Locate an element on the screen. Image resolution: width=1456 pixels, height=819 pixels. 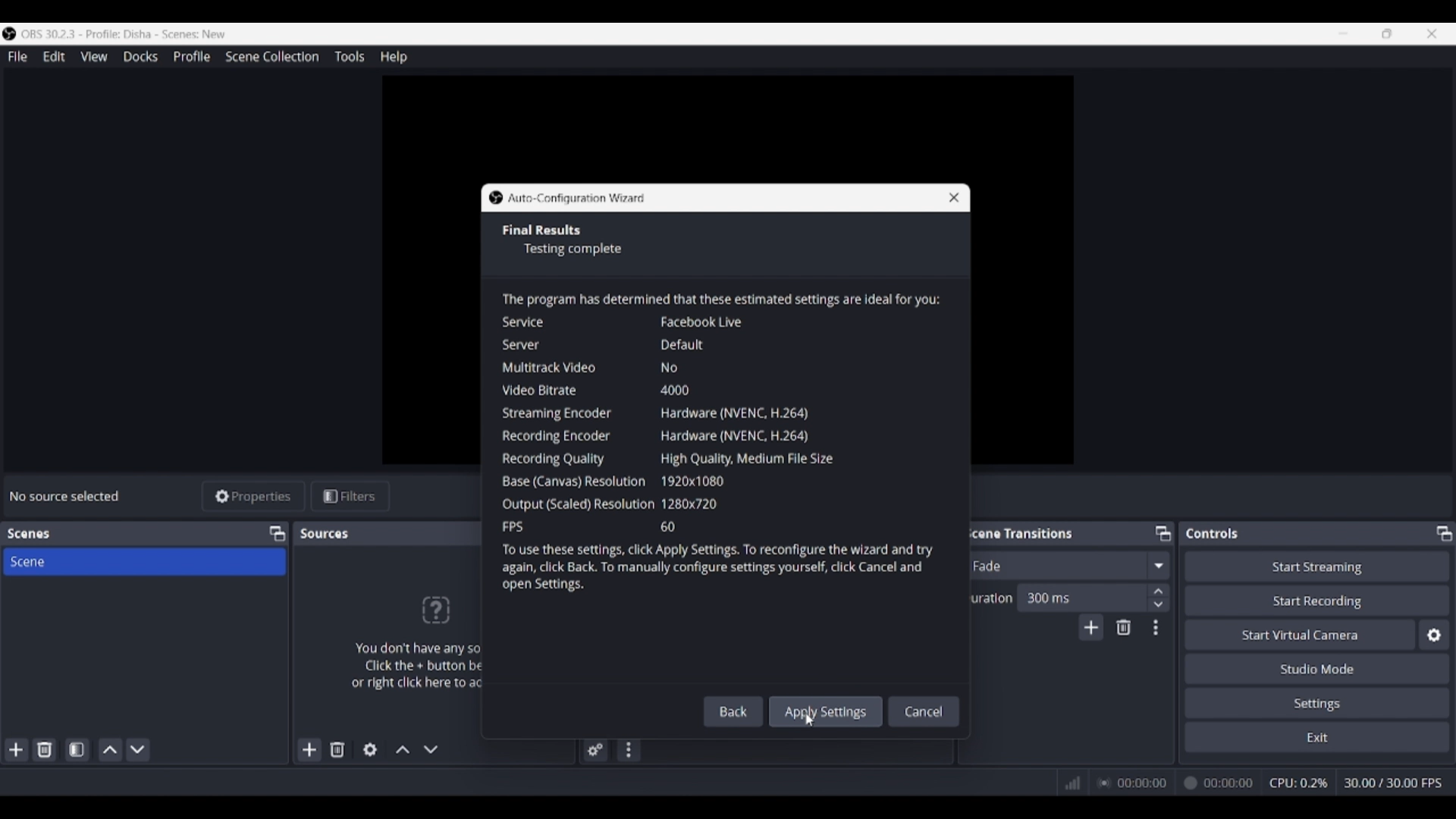
Section title and description is located at coordinates (565, 240).